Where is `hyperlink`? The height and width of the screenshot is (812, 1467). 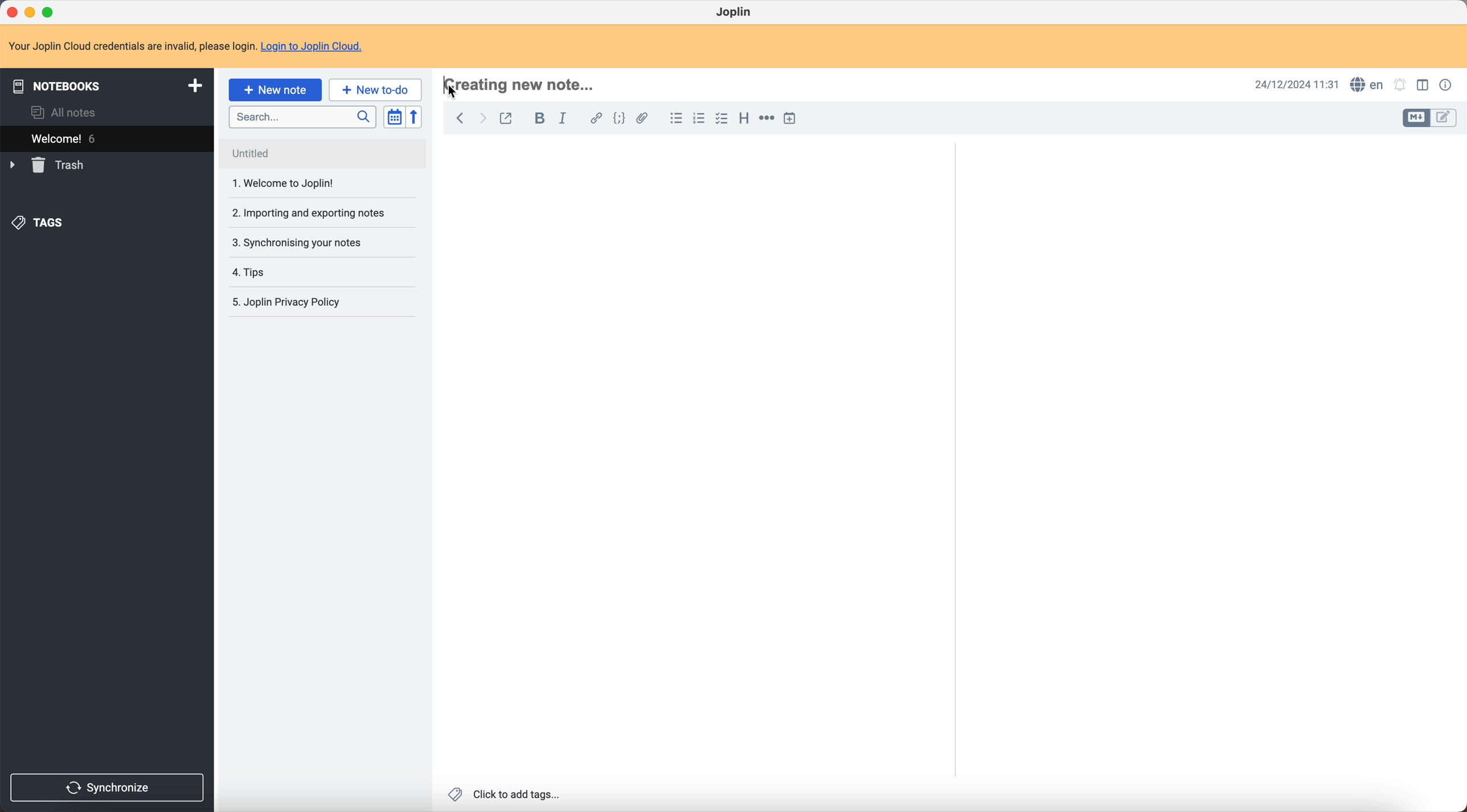 hyperlink is located at coordinates (595, 118).